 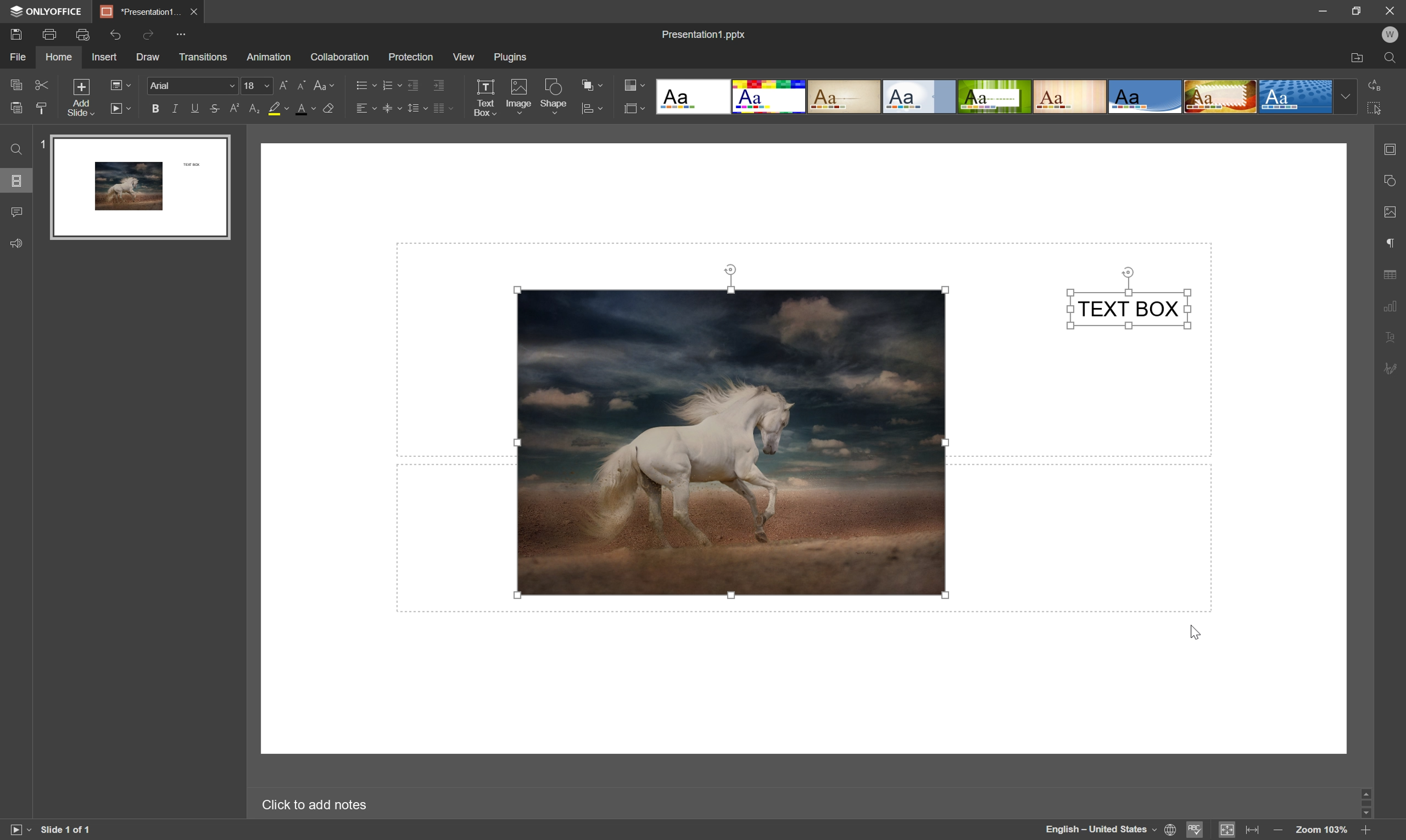 What do you see at coordinates (140, 187) in the screenshot?
I see `slide` at bounding box center [140, 187].